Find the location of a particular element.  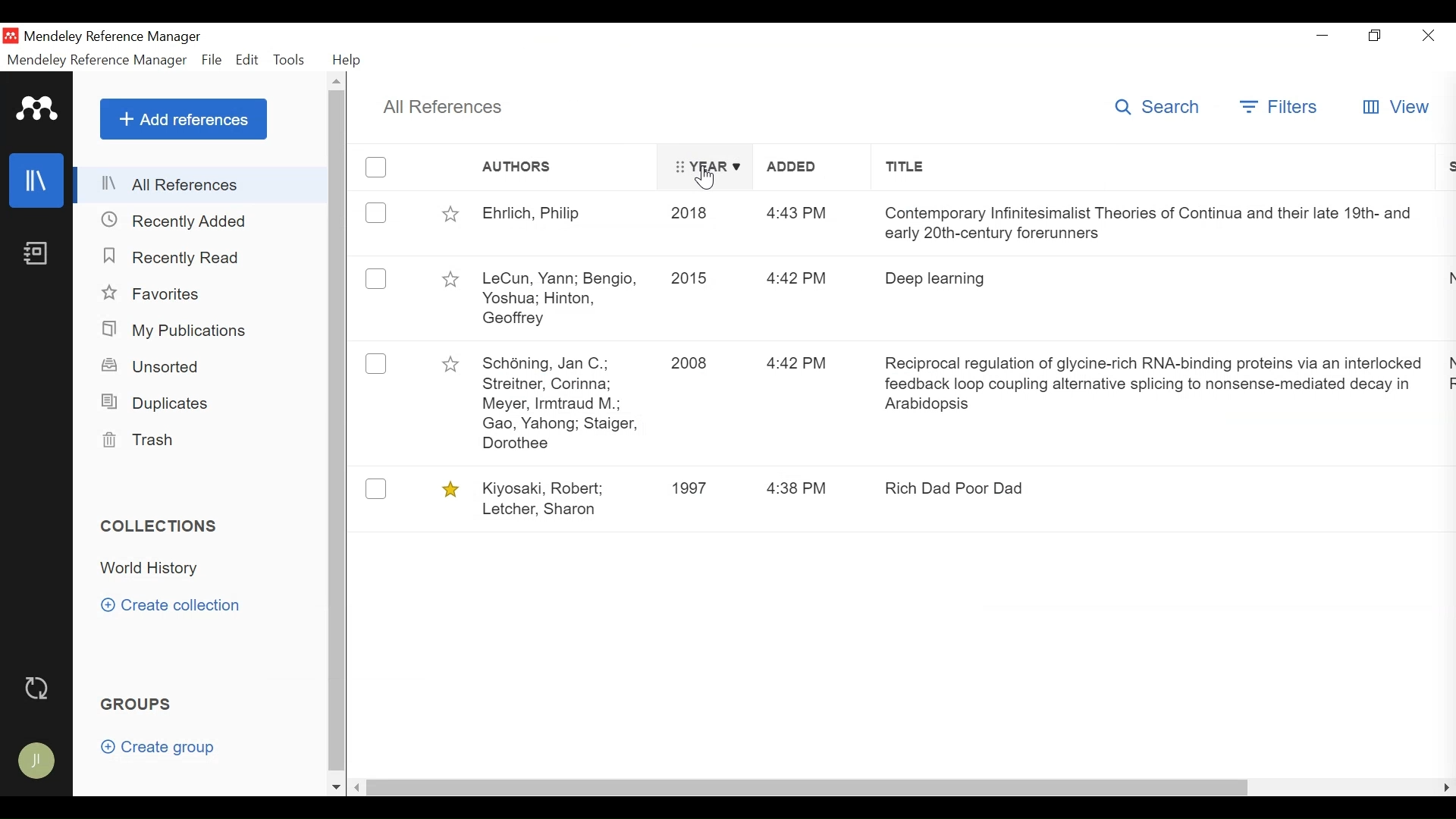

(un)Select Favorites is located at coordinates (453, 279).